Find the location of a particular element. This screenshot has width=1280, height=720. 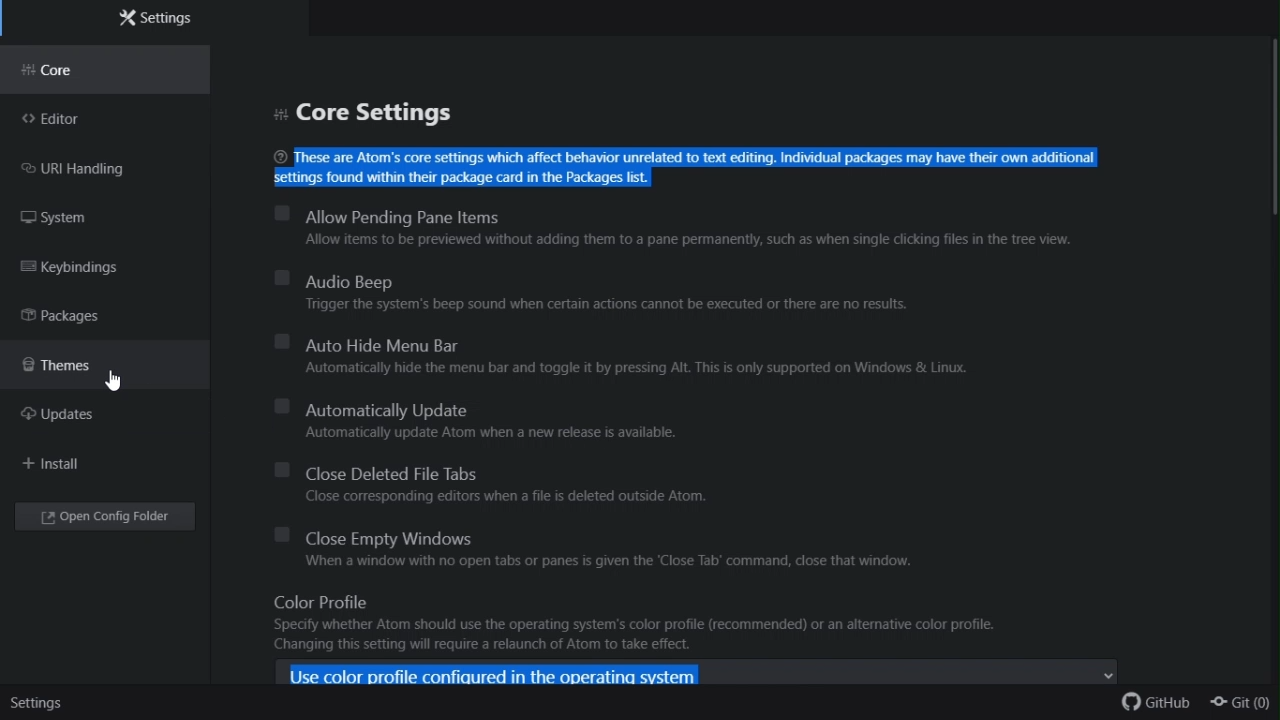

Editor is located at coordinates (55, 118).